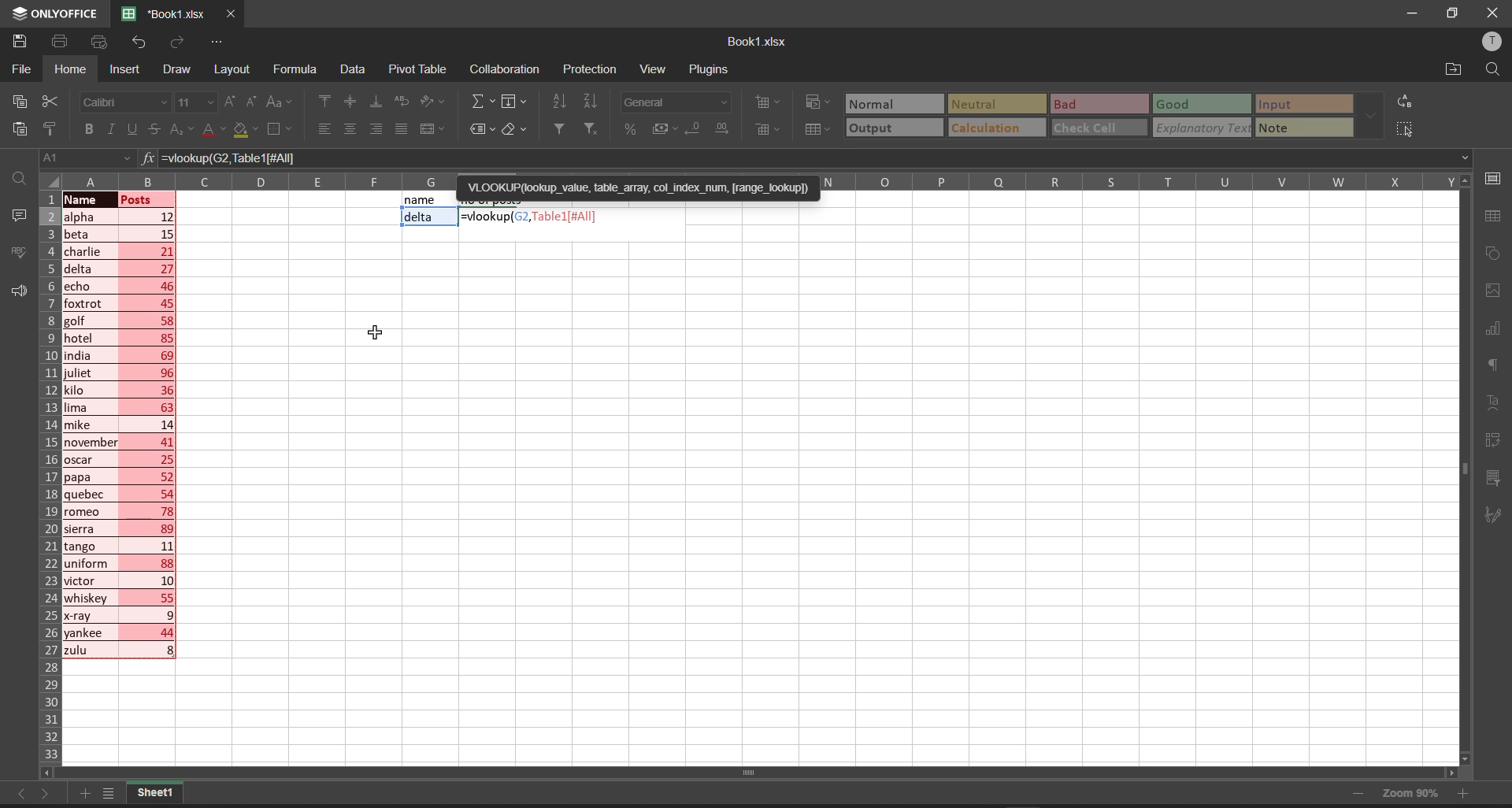 The width and height of the screenshot is (1512, 808). I want to click on save, so click(19, 42).